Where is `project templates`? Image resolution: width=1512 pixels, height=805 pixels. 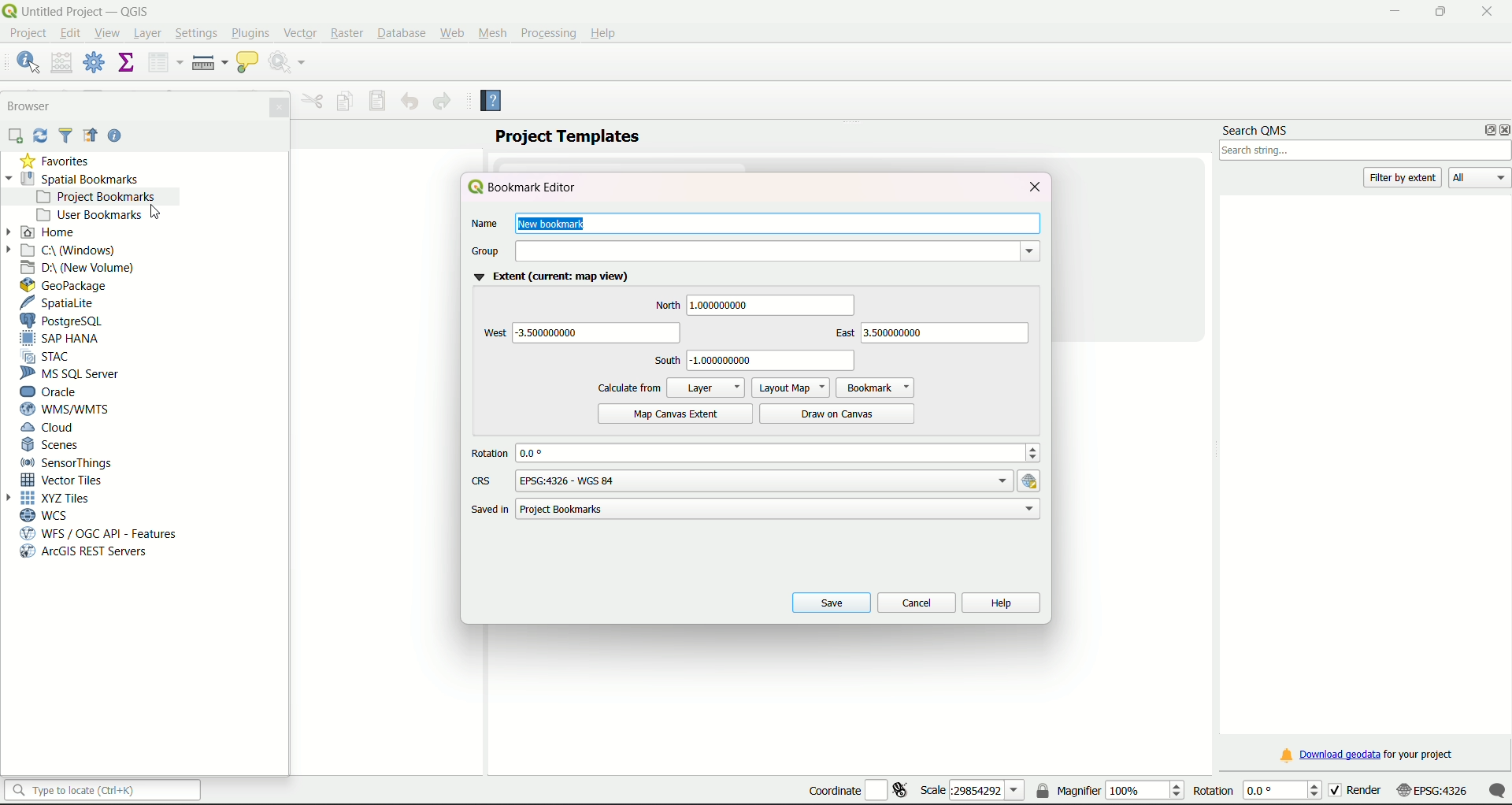 project templates is located at coordinates (568, 136).